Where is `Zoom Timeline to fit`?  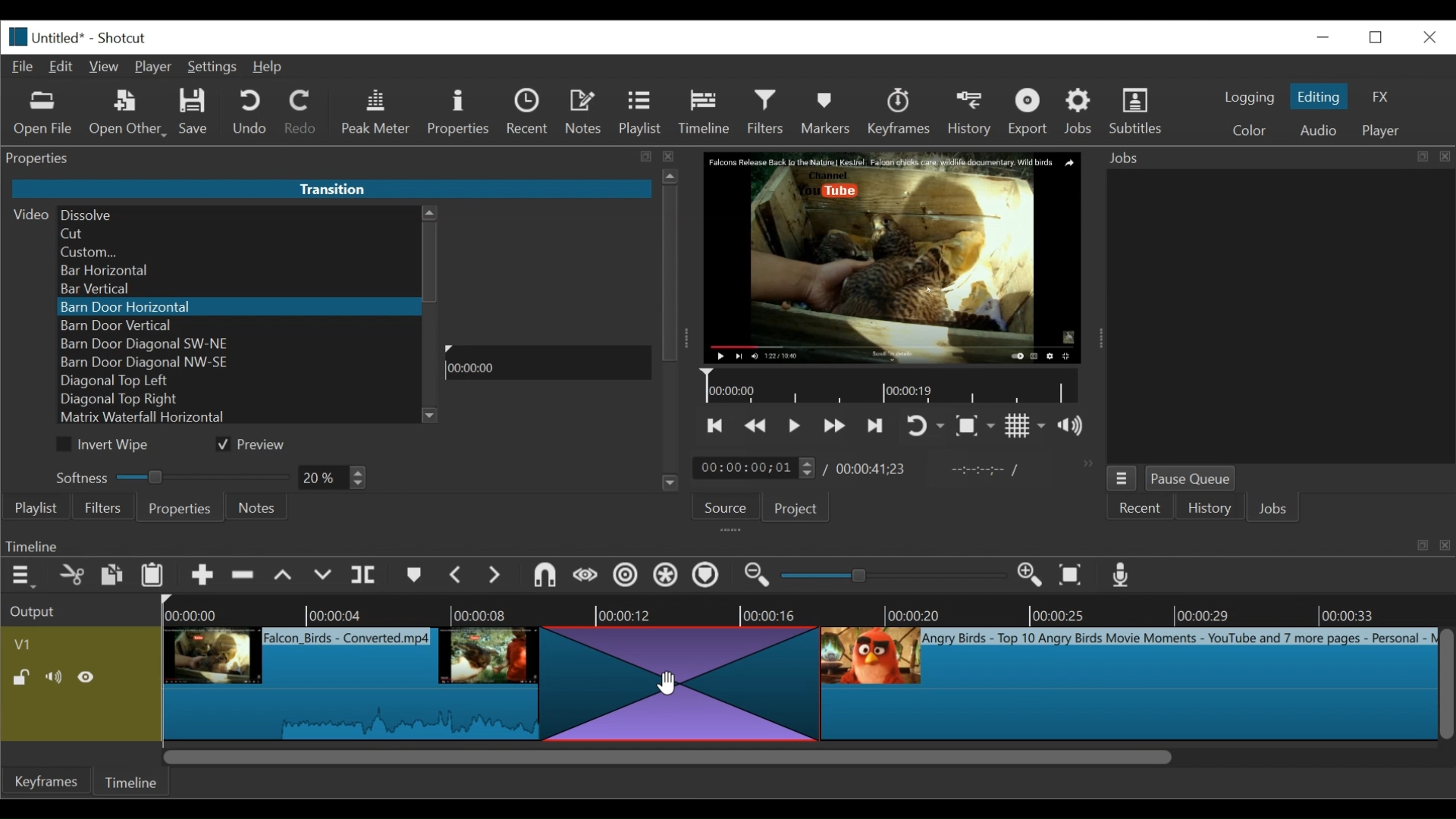
Zoom Timeline to fit is located at coordinates (1072, 574).